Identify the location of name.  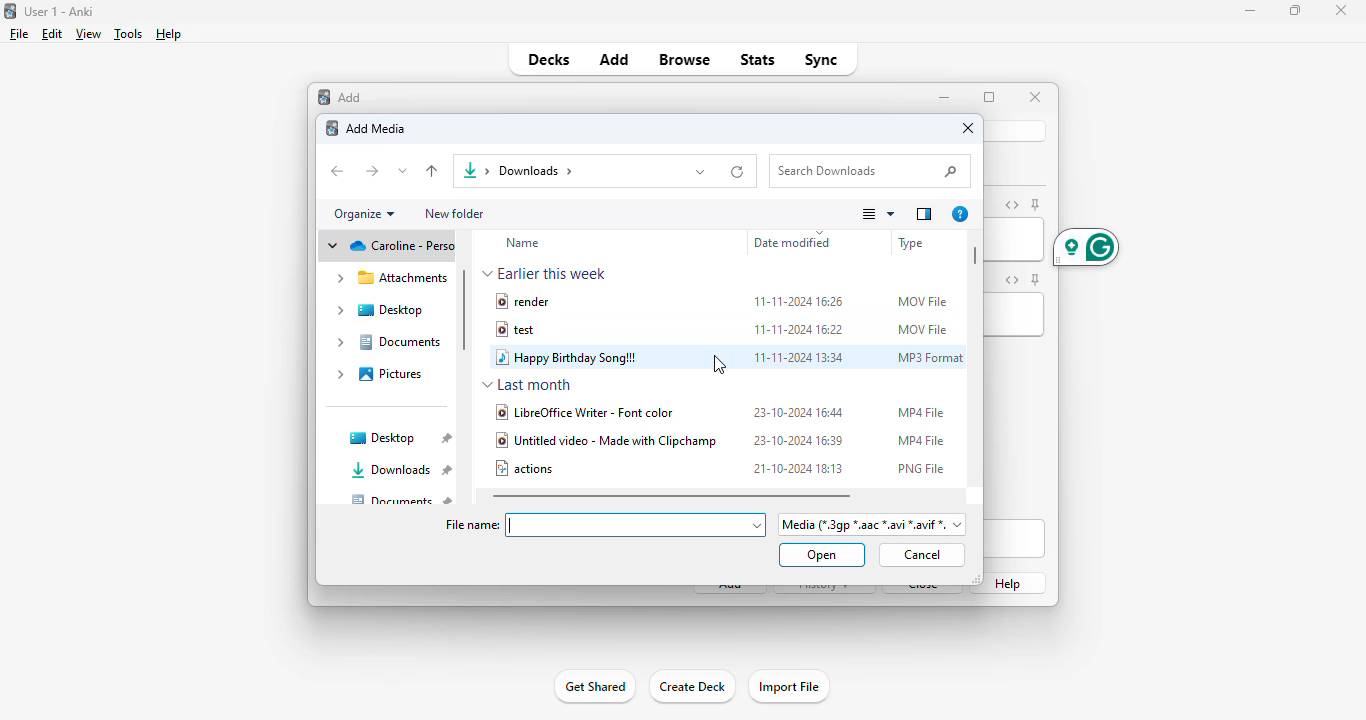
(523, 243).